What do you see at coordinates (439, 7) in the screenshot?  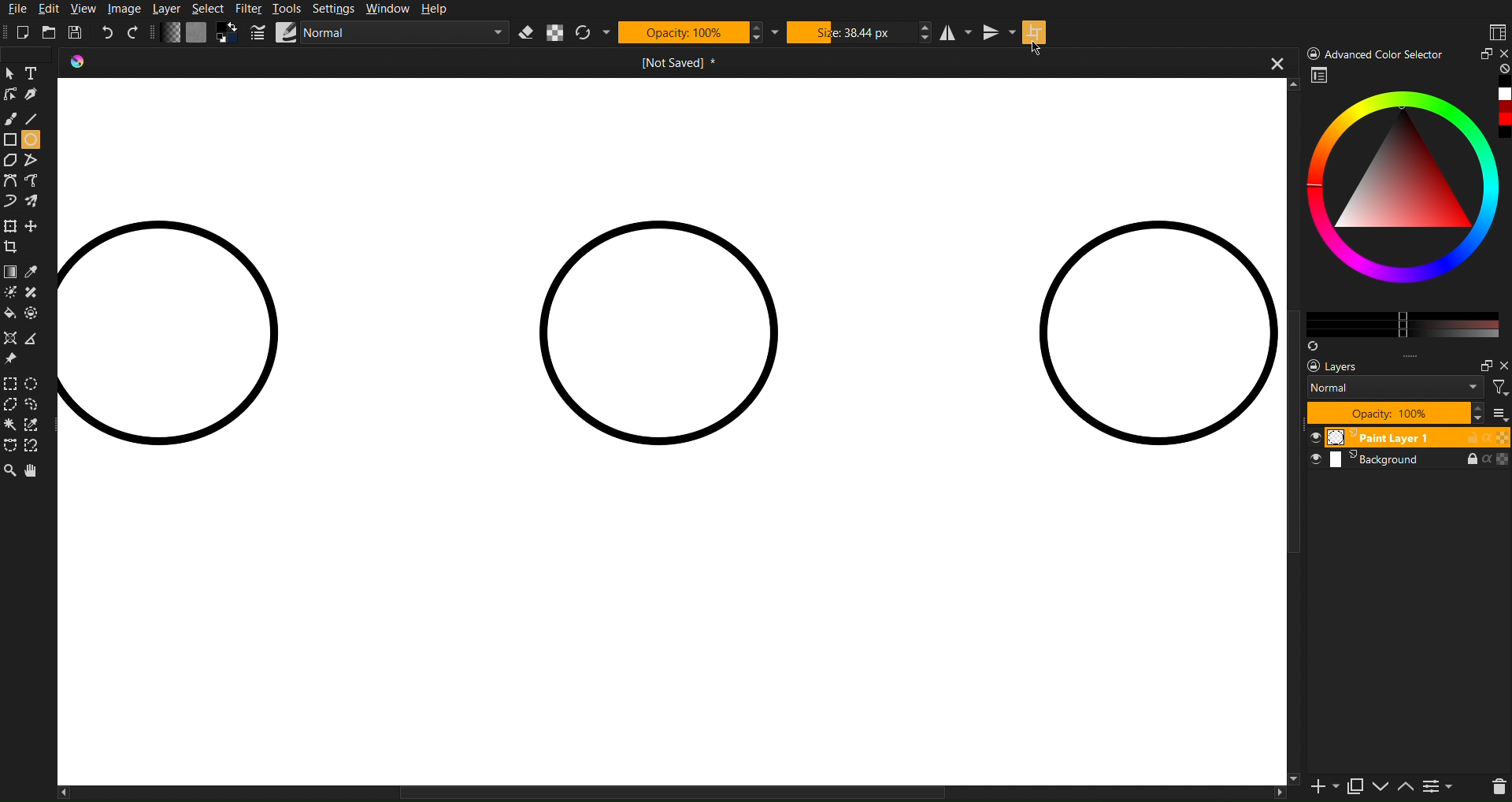 I see `Help` at bounding box center [439, 7].